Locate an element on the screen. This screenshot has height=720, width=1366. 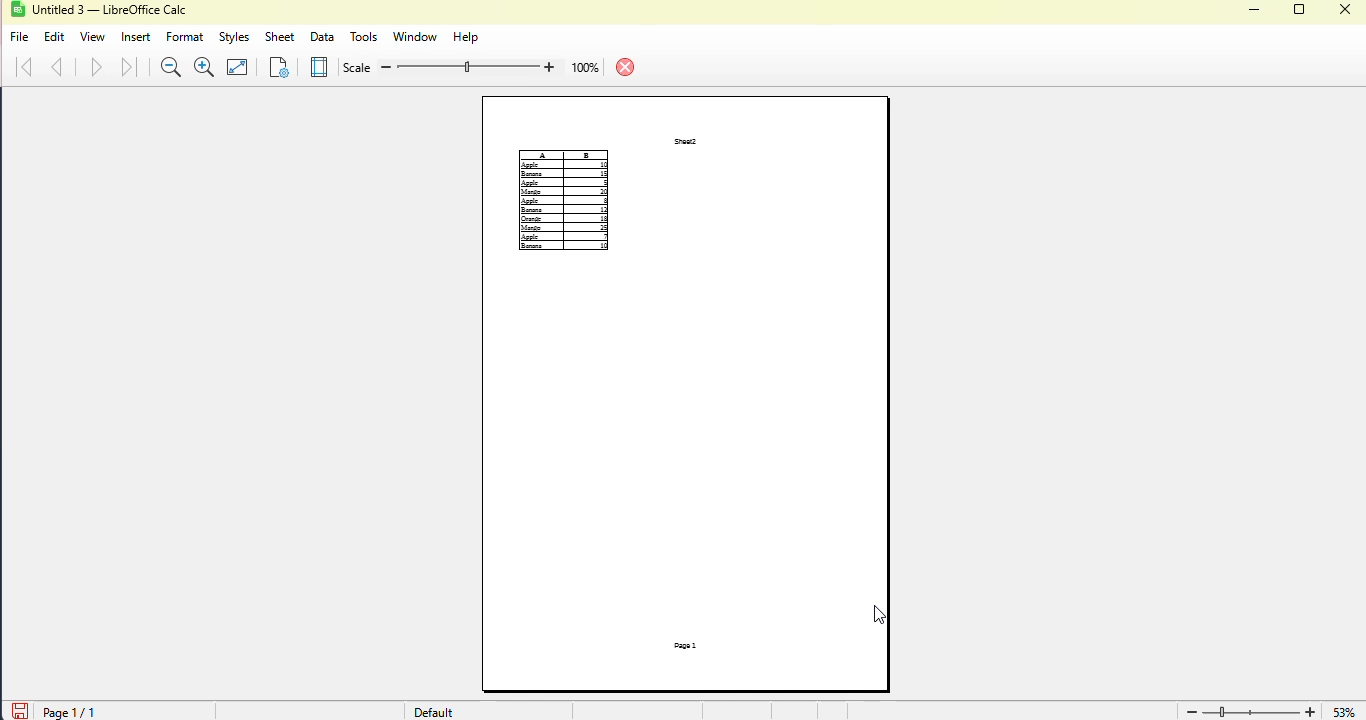
maximize is located at coordinates (1301, 9).